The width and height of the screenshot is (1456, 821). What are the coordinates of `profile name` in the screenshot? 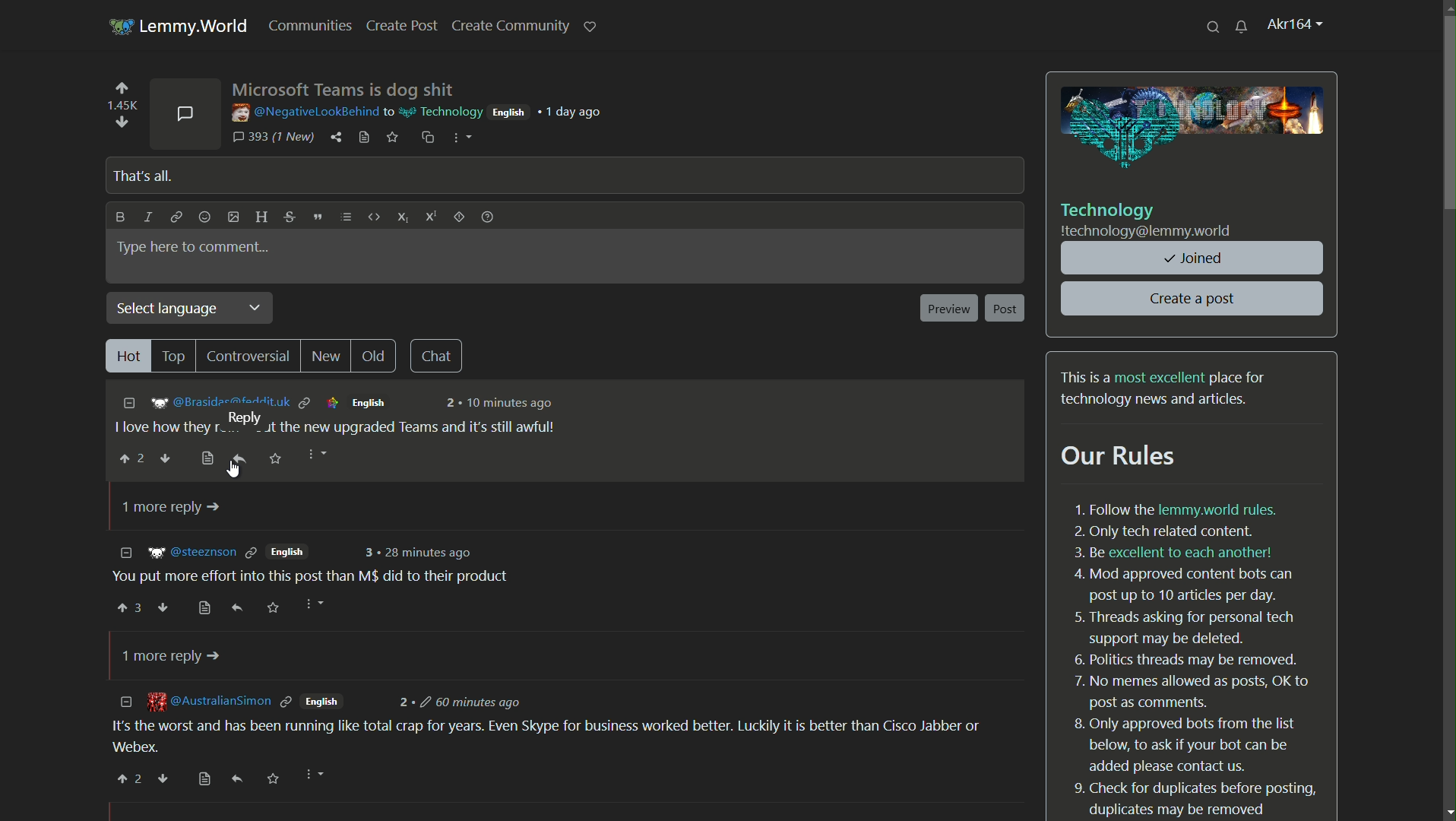 It's located at (1296, 25).